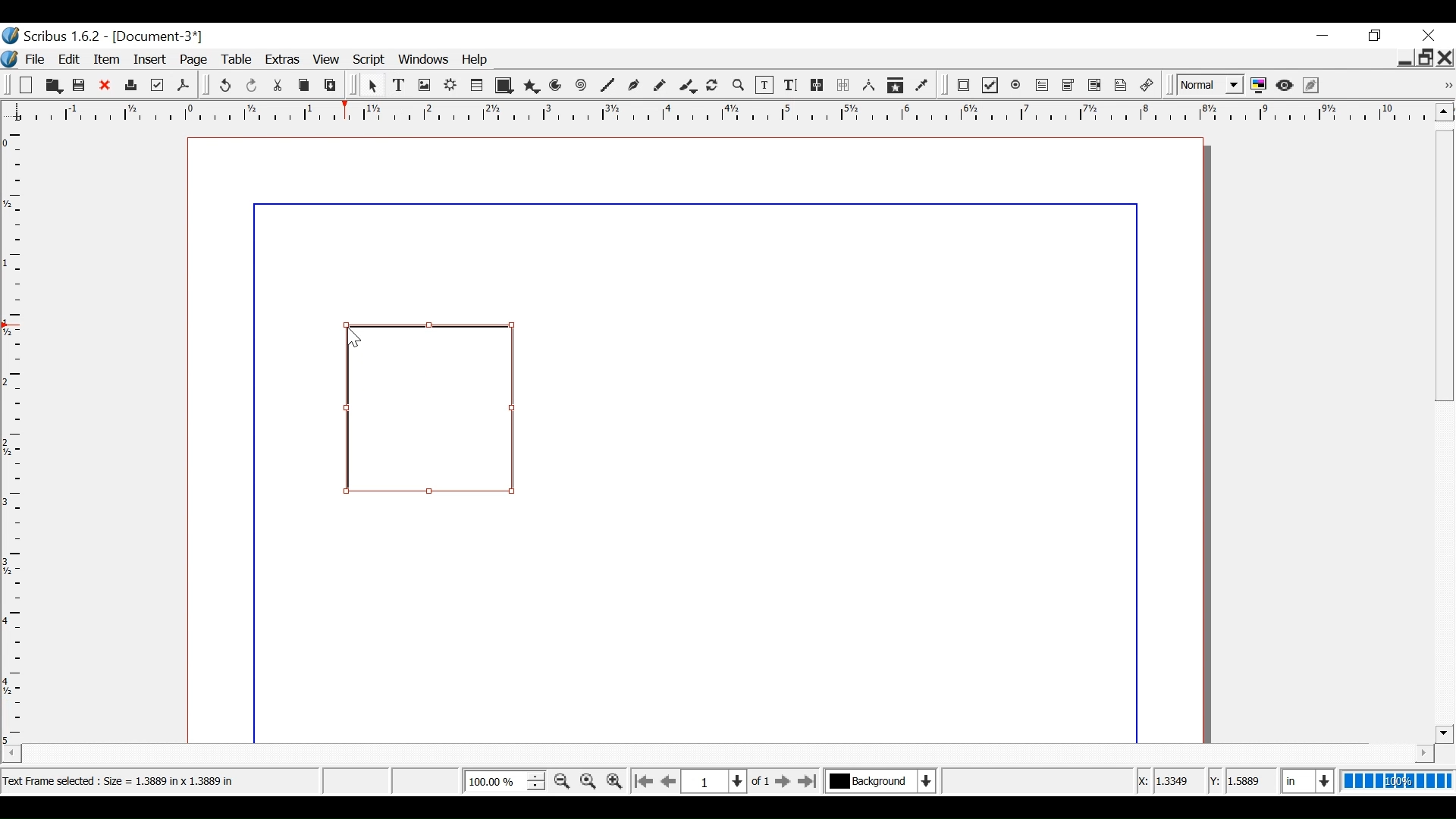 Image resolution: width=1456 pixels, height=819 pixels. Describe the element at coordinates (224, 83) in the screenshot. I see `undo` at that location.